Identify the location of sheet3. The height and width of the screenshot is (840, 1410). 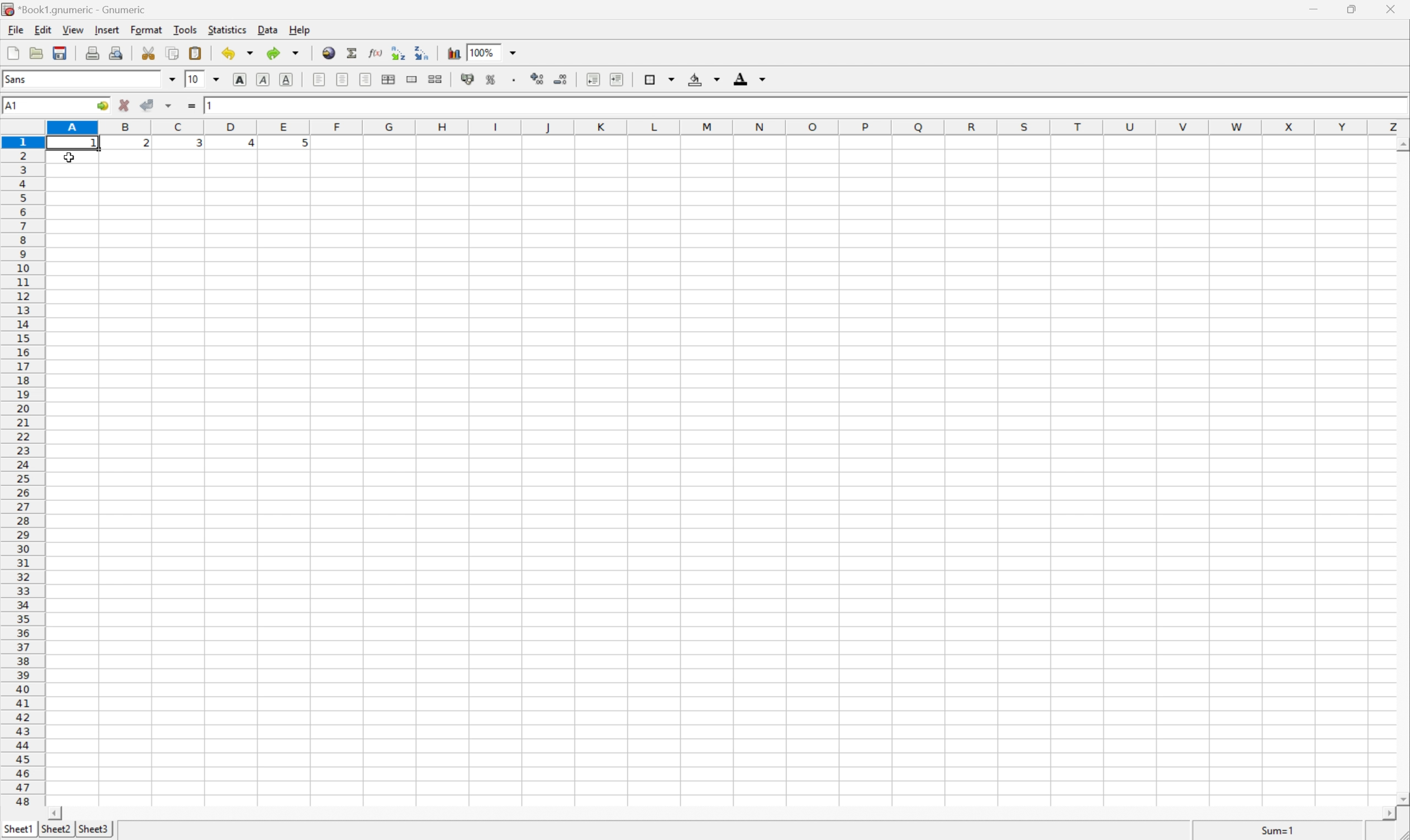
(93, 832).